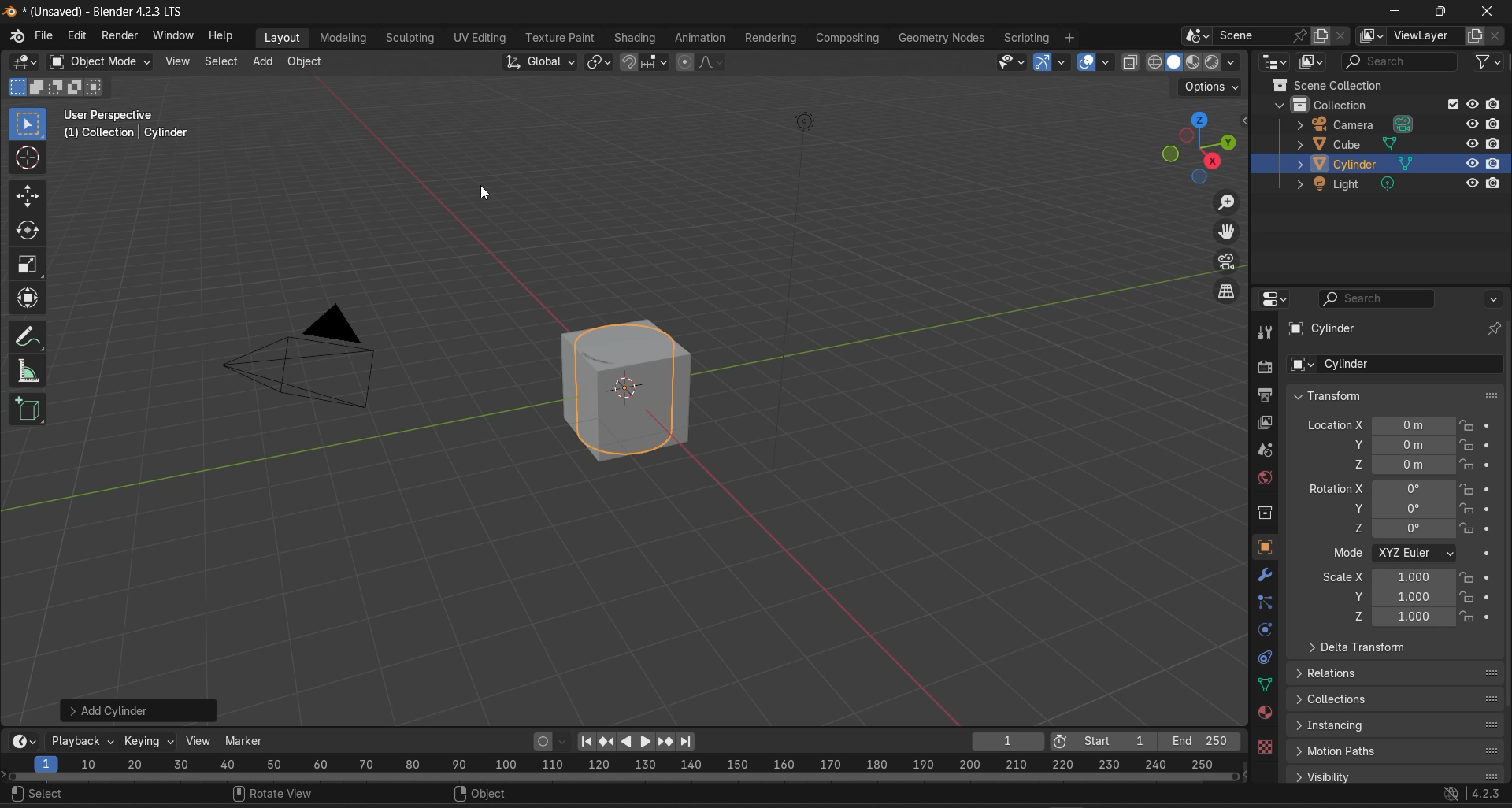 This screenshot has height=808, width=1512. Describe the element at coordinates (83, 740) in the screenshot. I see `playback` at that location.